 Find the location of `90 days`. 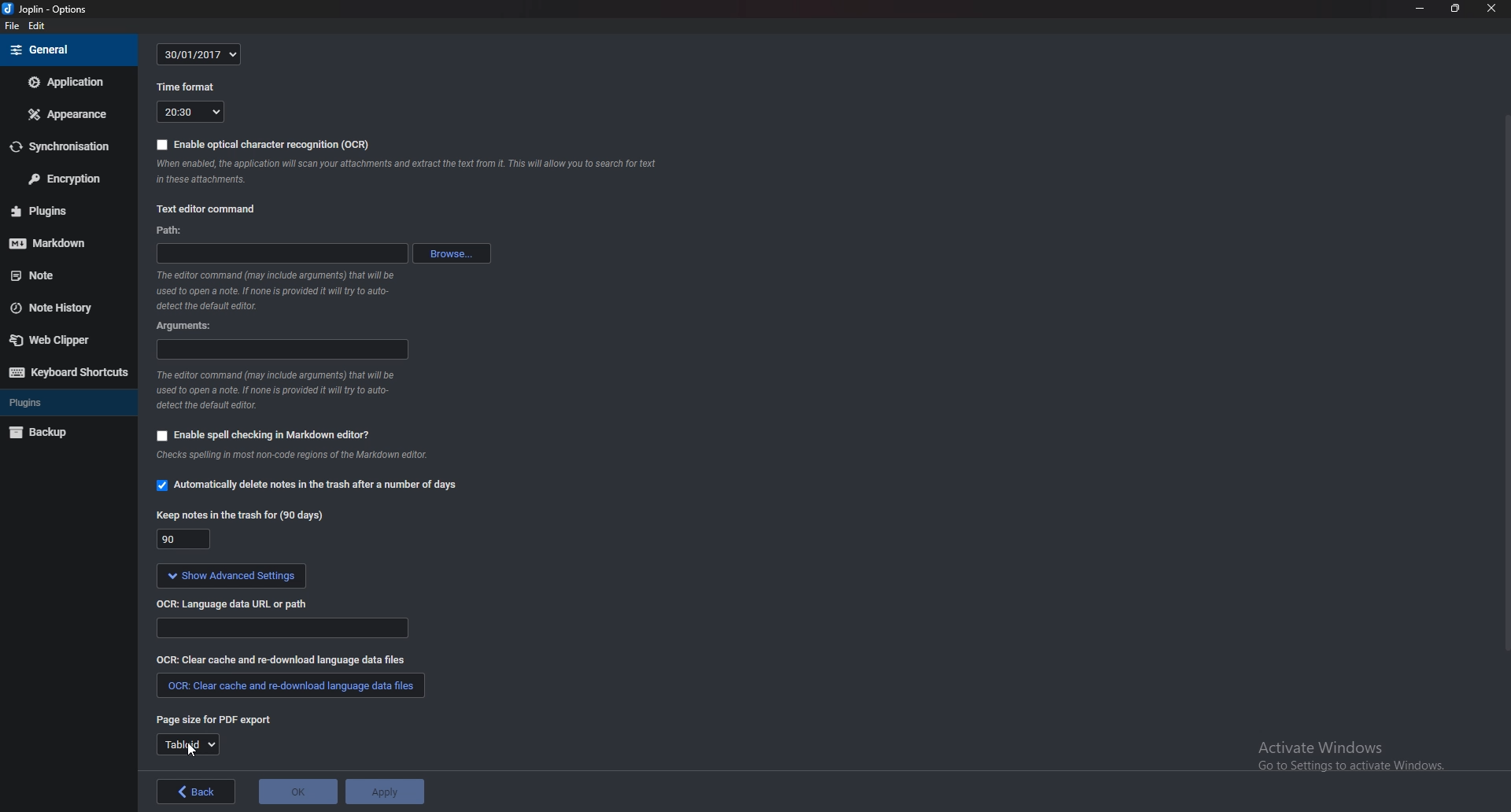

90 days is located at coordinates (183, 541).